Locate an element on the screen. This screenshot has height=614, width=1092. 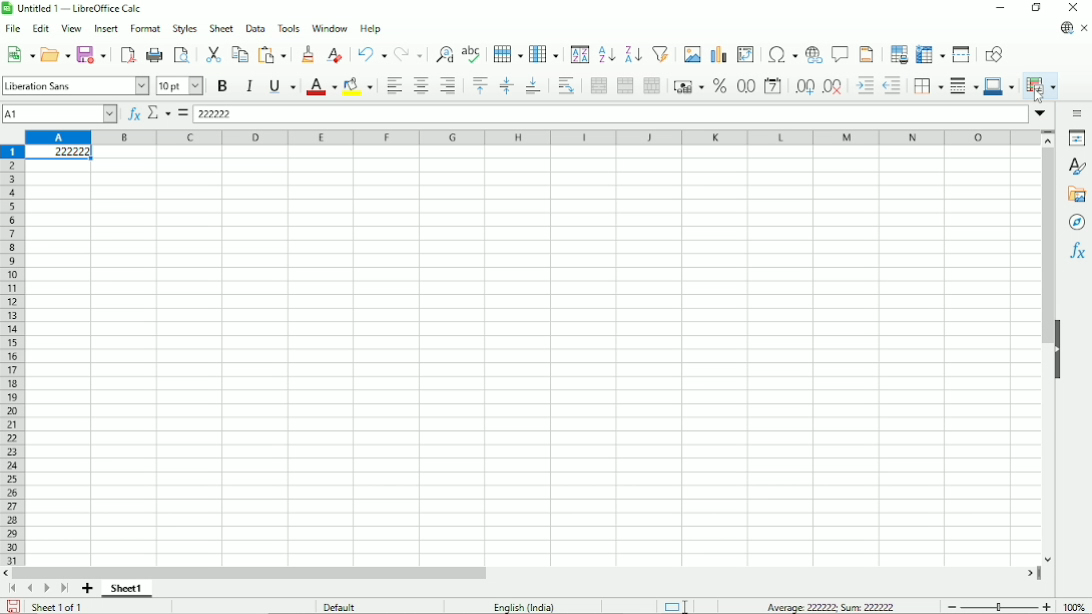
Sort is located at coordinates (580, 53).